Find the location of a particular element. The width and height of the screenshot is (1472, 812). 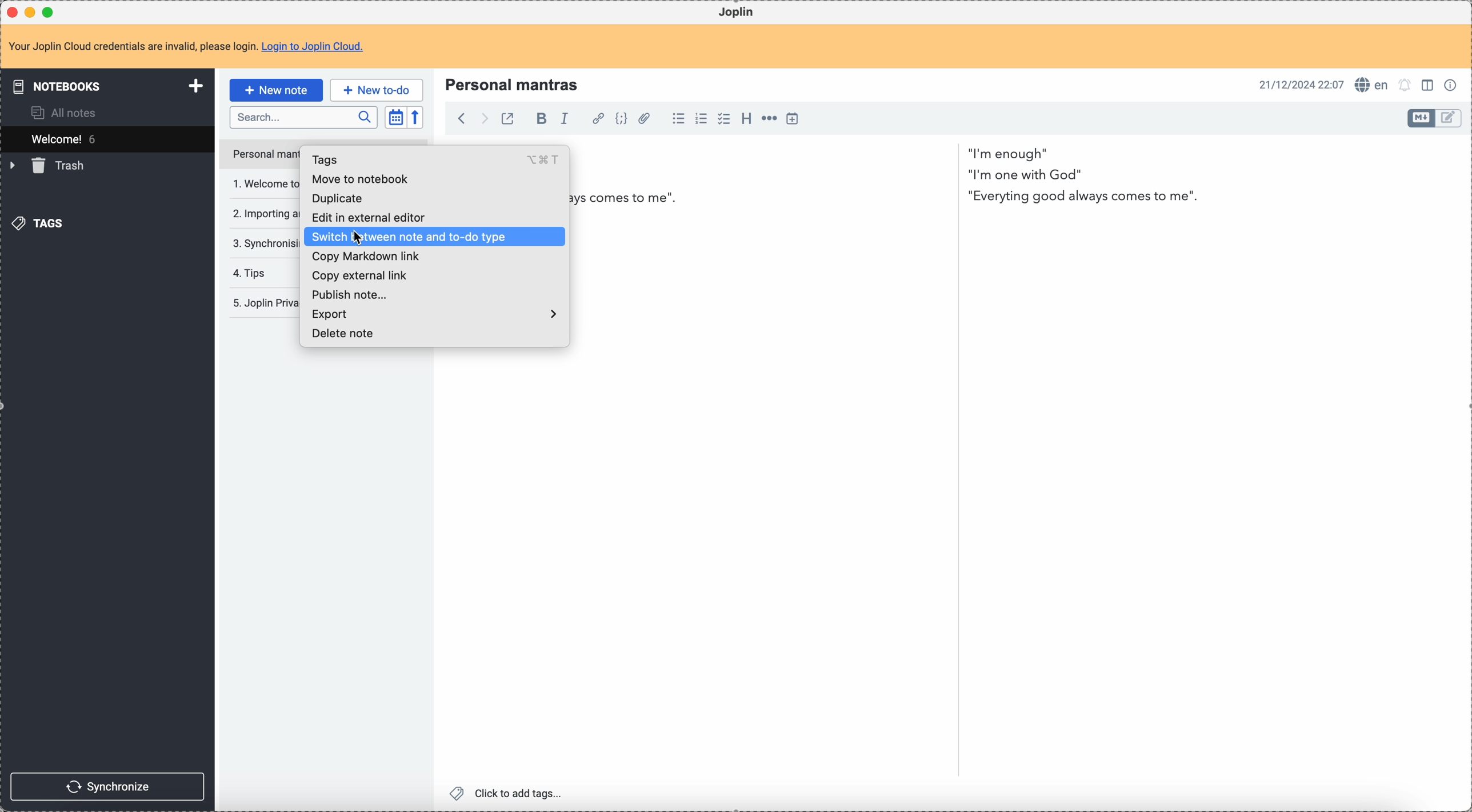

tags is located at coordinates (37, 223).